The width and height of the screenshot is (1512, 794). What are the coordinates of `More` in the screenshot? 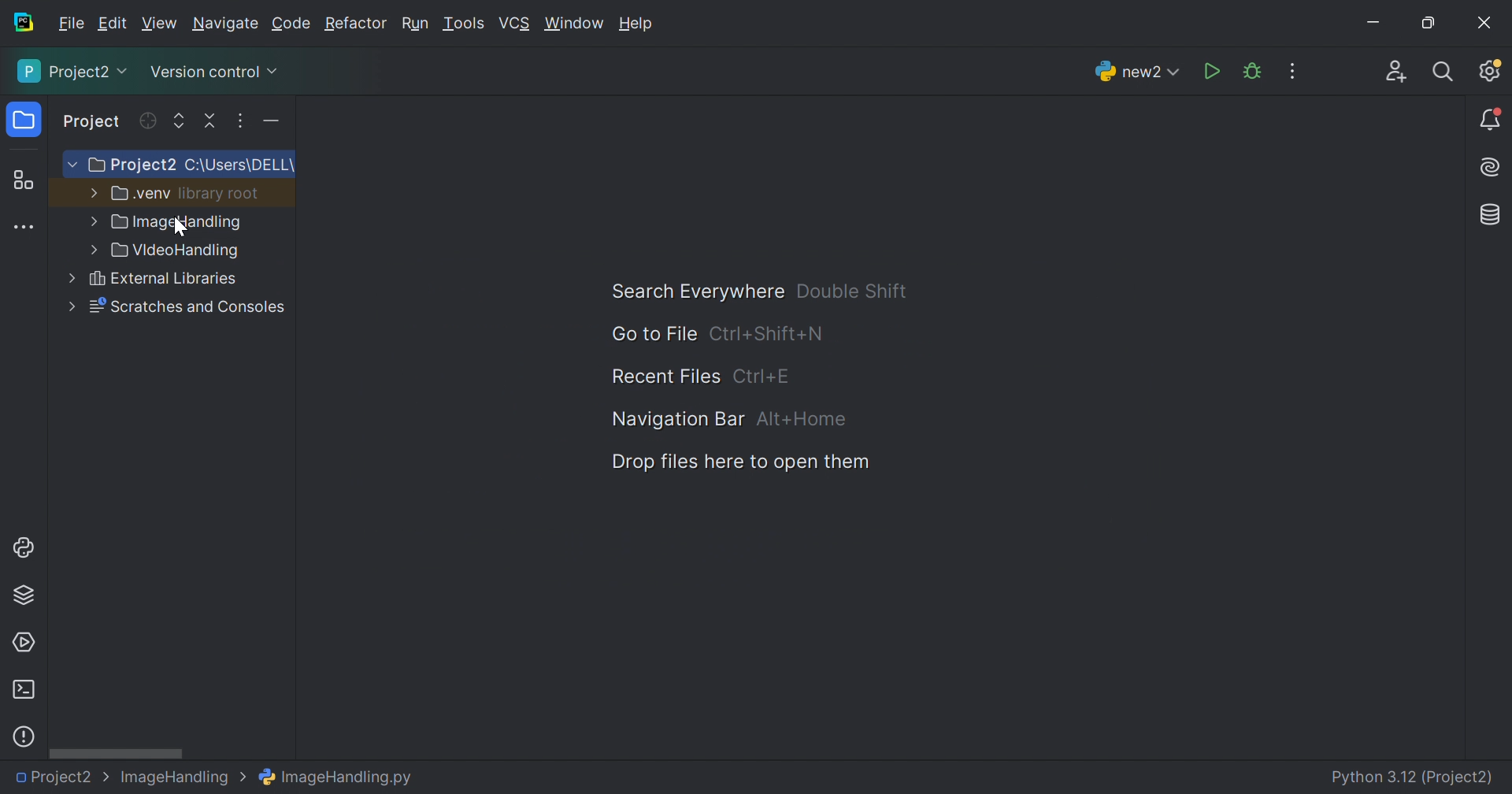 It's located at (91, 191).